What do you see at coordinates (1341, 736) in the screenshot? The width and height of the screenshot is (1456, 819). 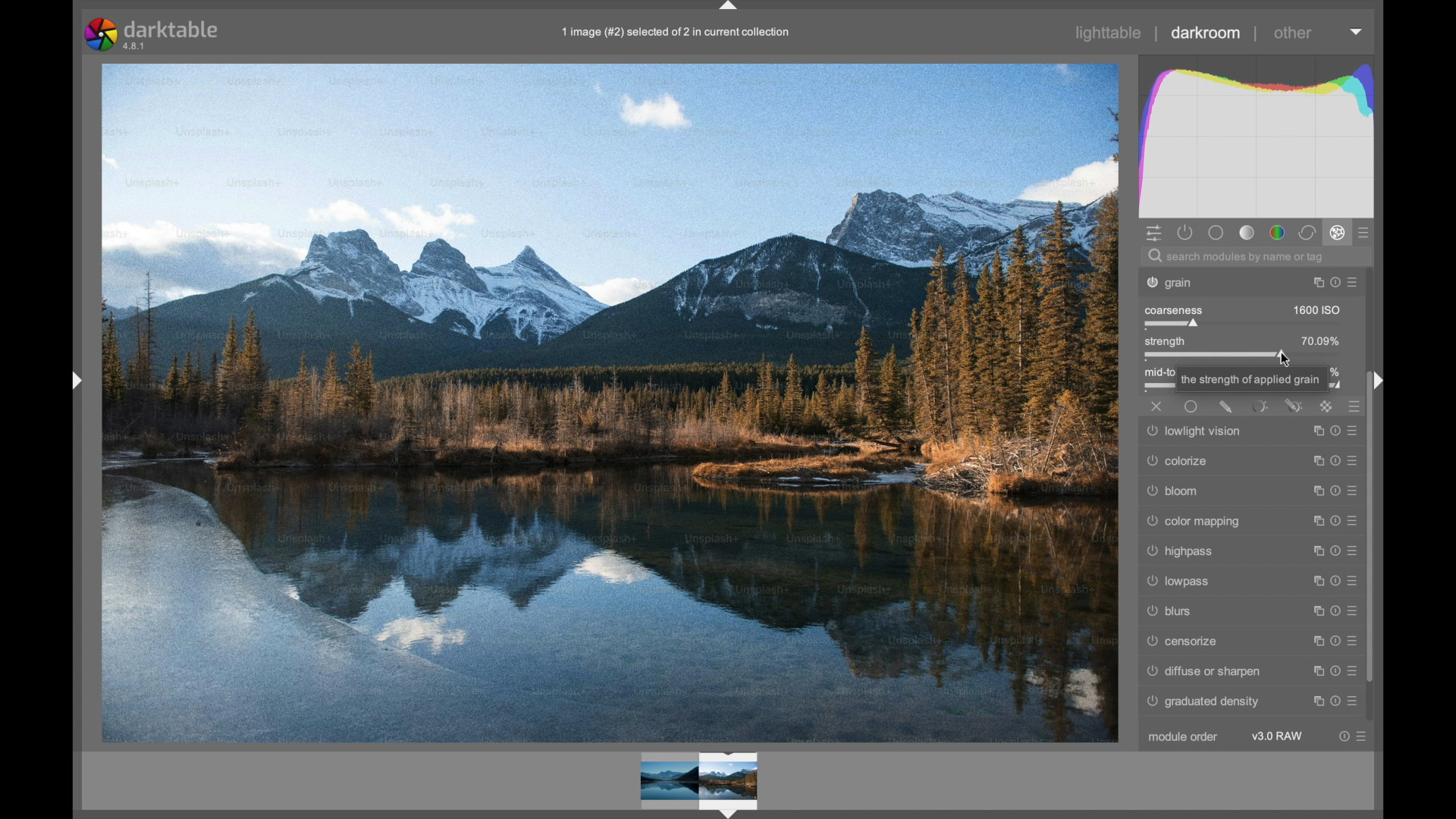 I see `reset parameters` at bounding box center [1341, 736].